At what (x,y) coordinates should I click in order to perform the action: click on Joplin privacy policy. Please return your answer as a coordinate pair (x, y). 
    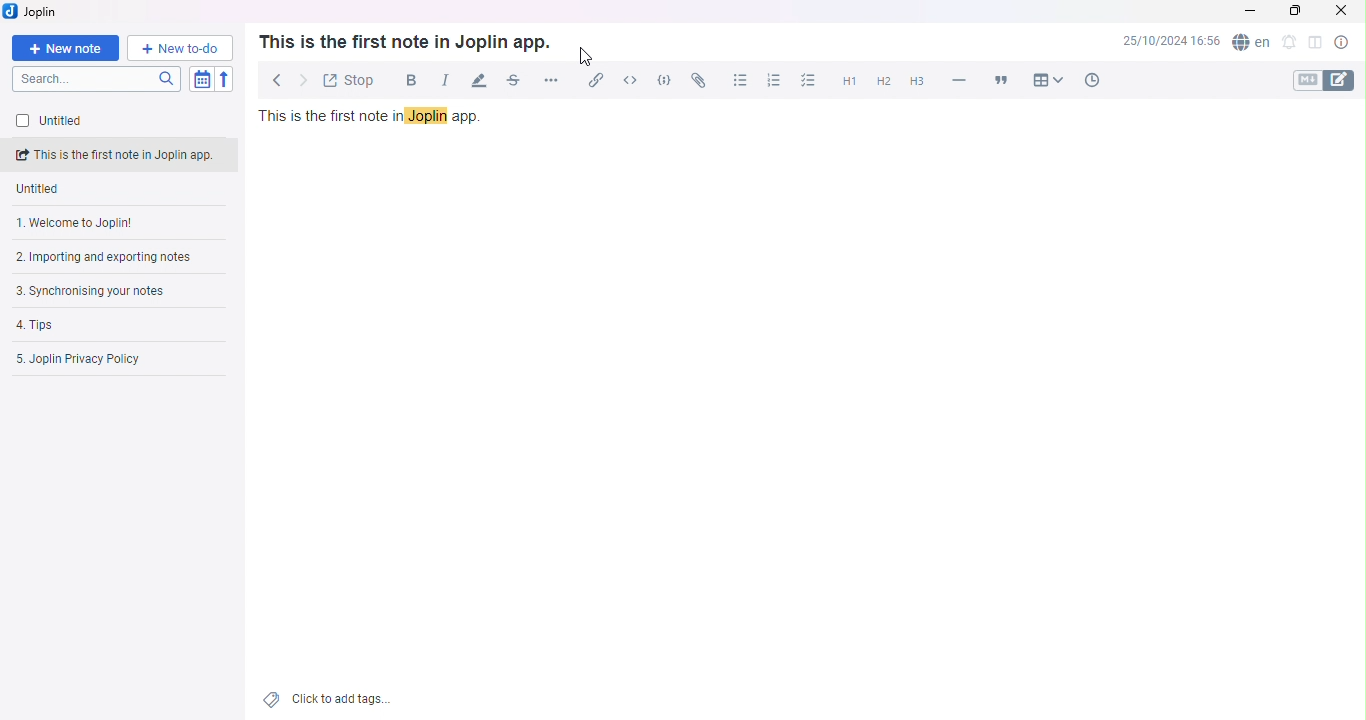
    Looking at the image, I should click on (109, 359).